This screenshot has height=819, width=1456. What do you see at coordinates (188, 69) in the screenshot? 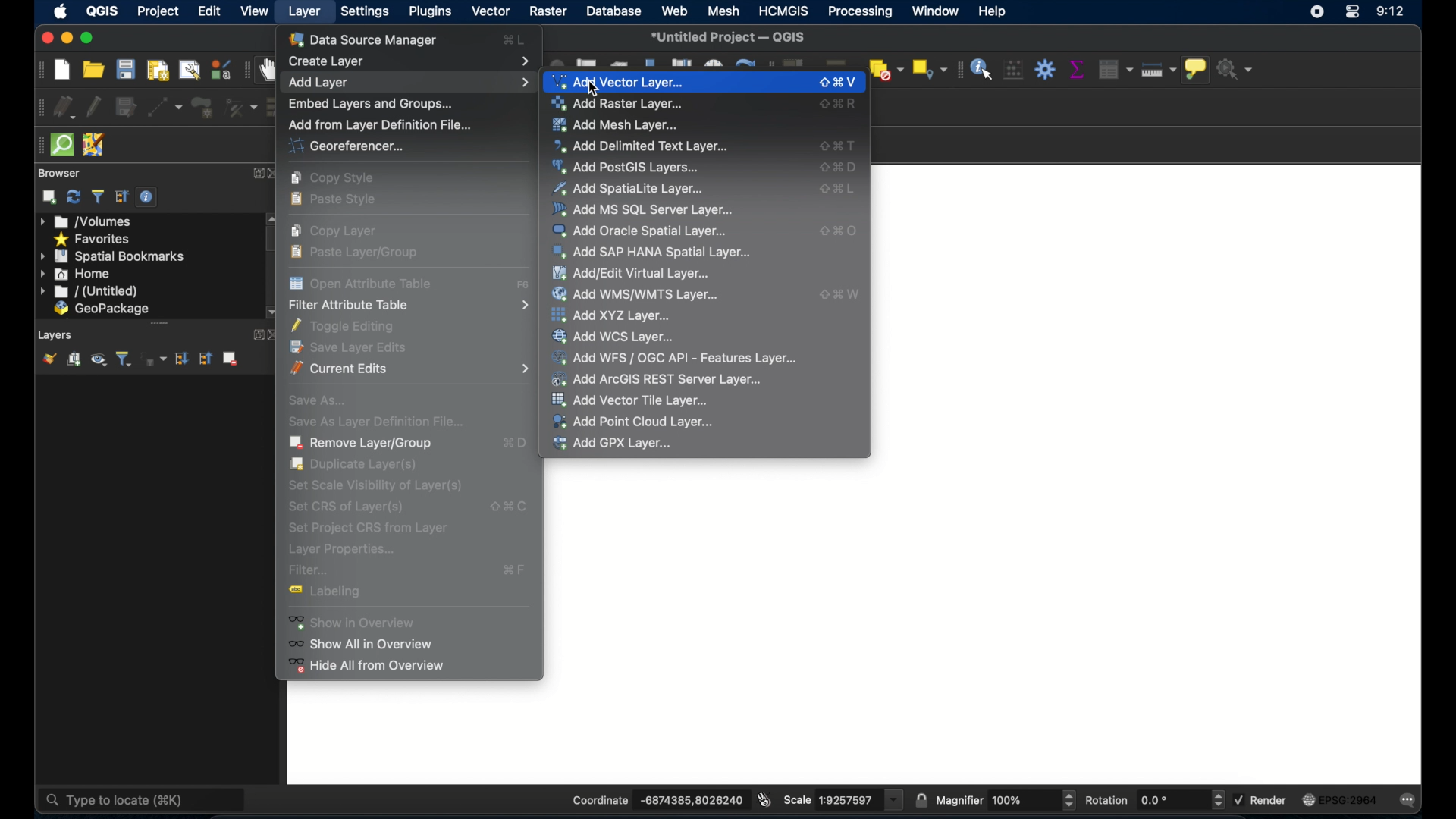
I see `show layout manager` at bounding box center [188, 69].